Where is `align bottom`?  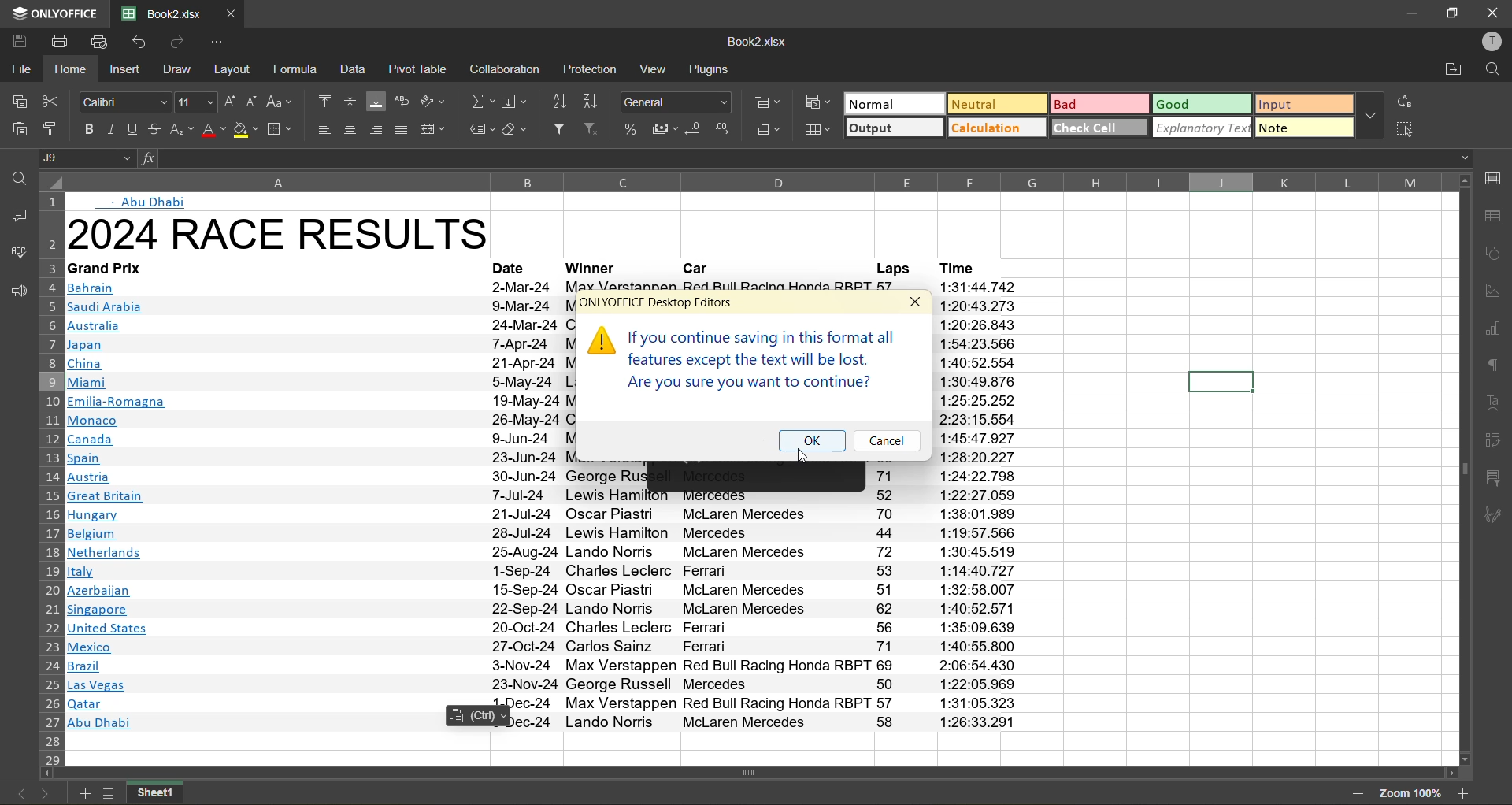 align bottom is located at coordinates (375, 103).